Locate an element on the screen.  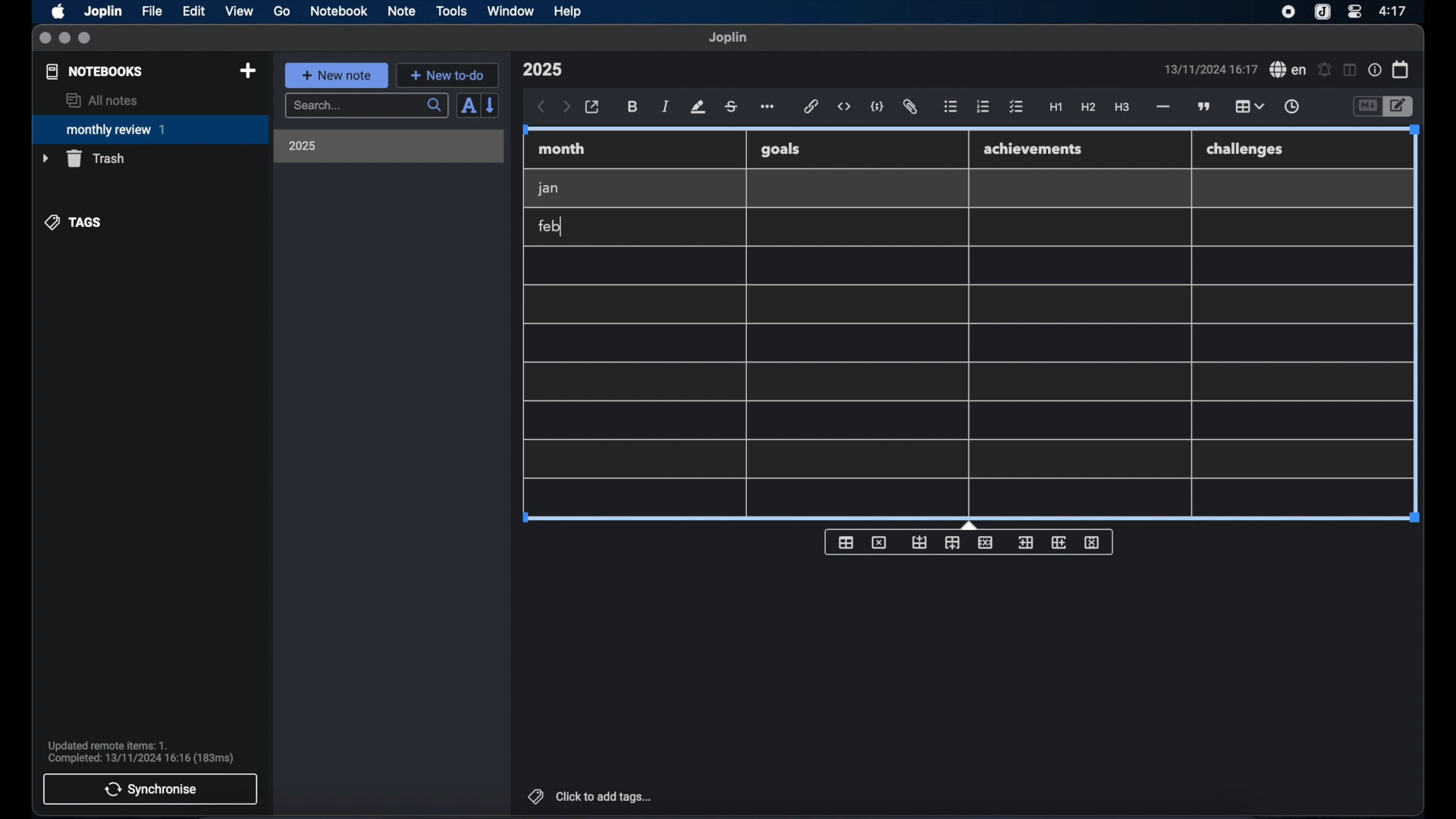
highlight is located at coordinates (698, 107).